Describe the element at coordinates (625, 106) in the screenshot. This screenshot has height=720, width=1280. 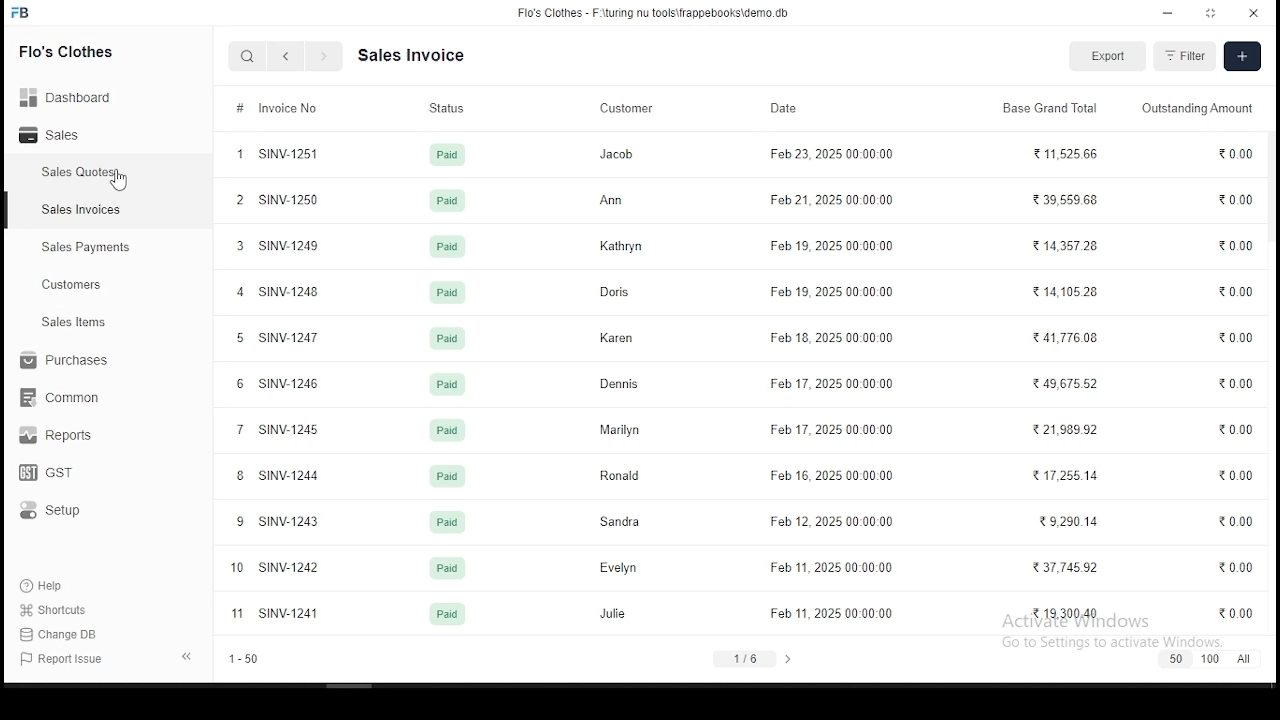
I see `customer` at that location.